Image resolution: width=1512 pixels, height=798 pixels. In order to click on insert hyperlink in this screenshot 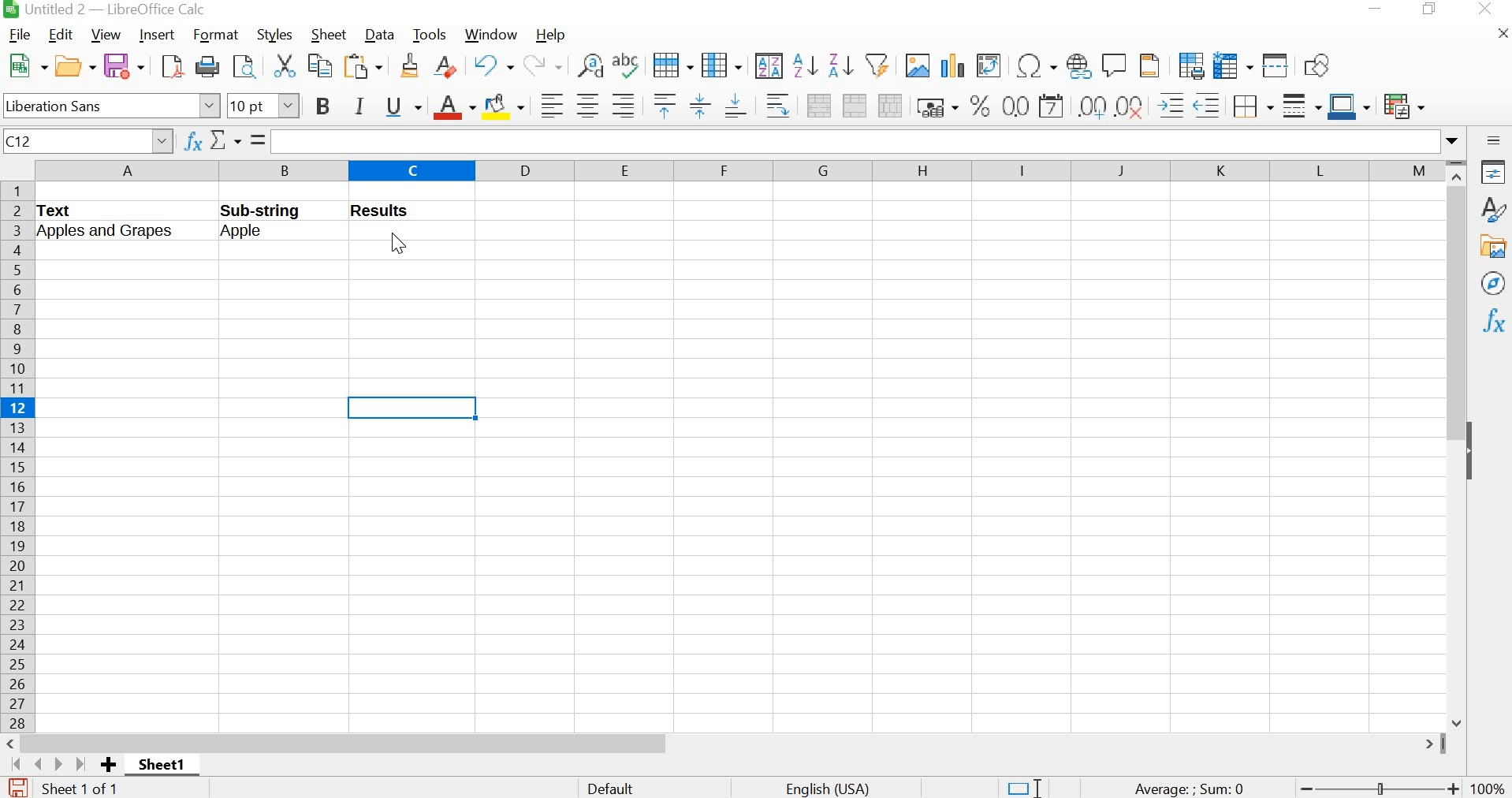, I will do `click(1077, 65)`.